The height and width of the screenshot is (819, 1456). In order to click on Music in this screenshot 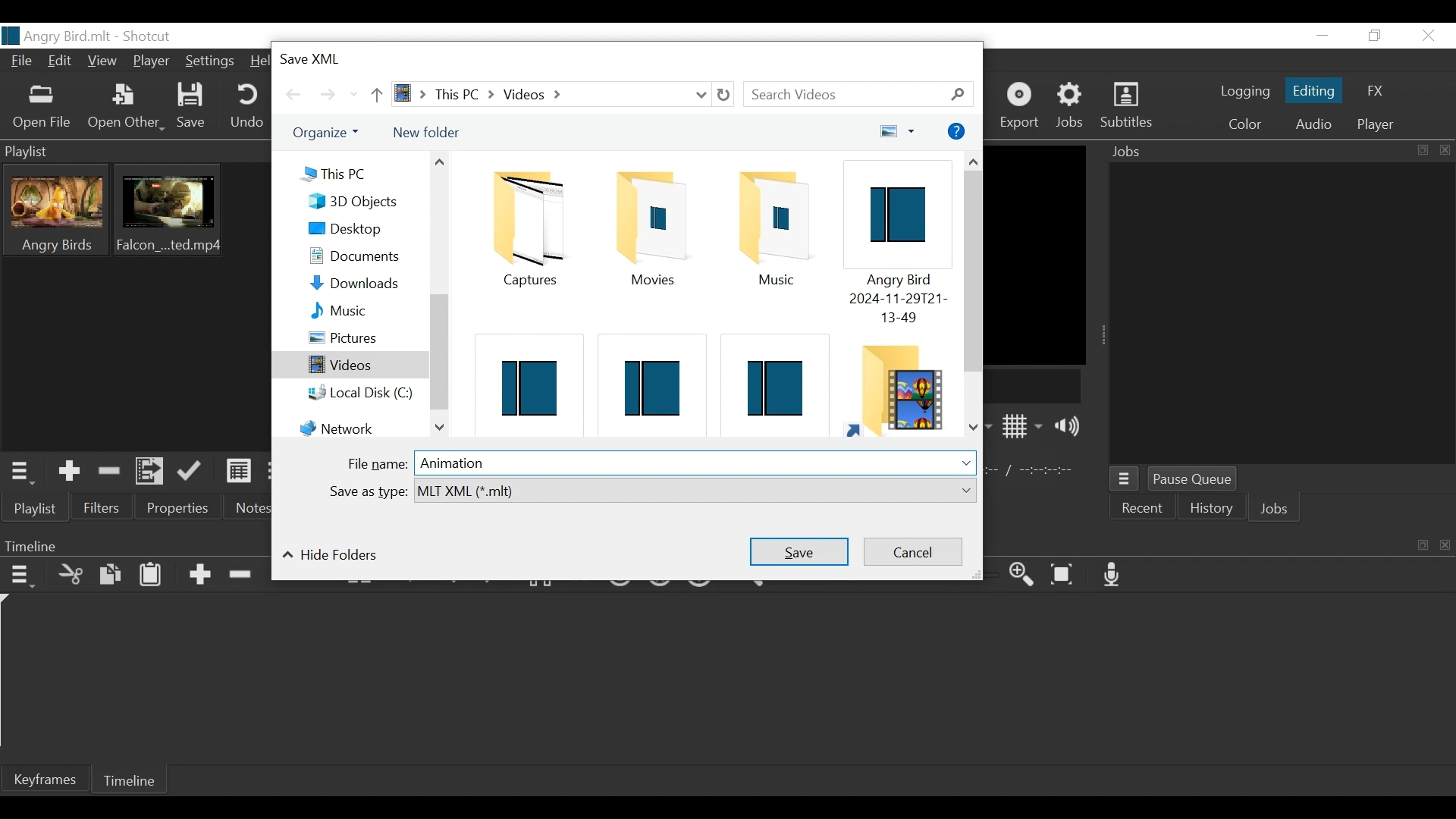, I will do `click(366, 310)`.